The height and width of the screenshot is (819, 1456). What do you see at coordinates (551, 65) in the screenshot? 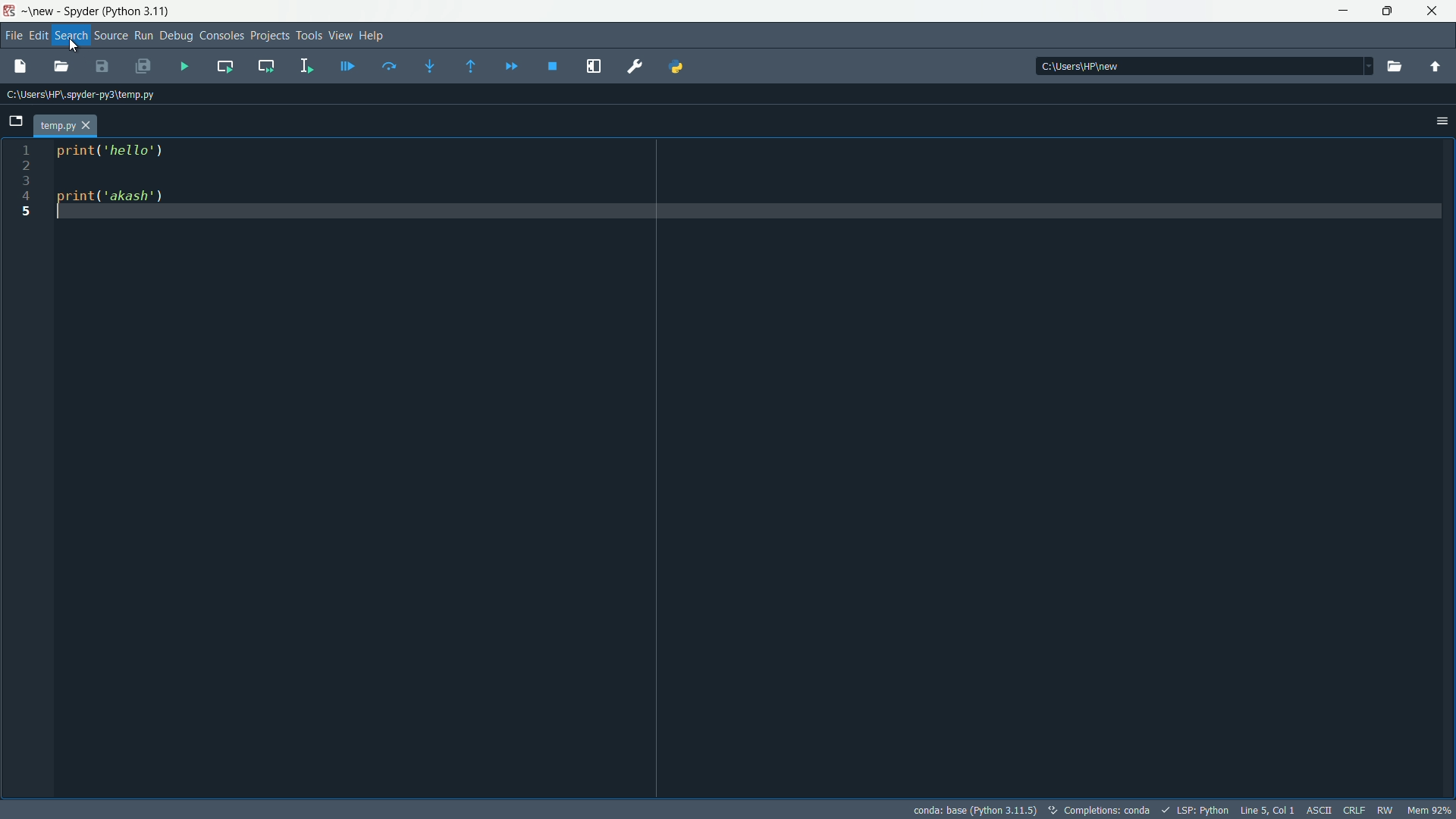
I see `stop debugging` at bounding box center [551, 65].